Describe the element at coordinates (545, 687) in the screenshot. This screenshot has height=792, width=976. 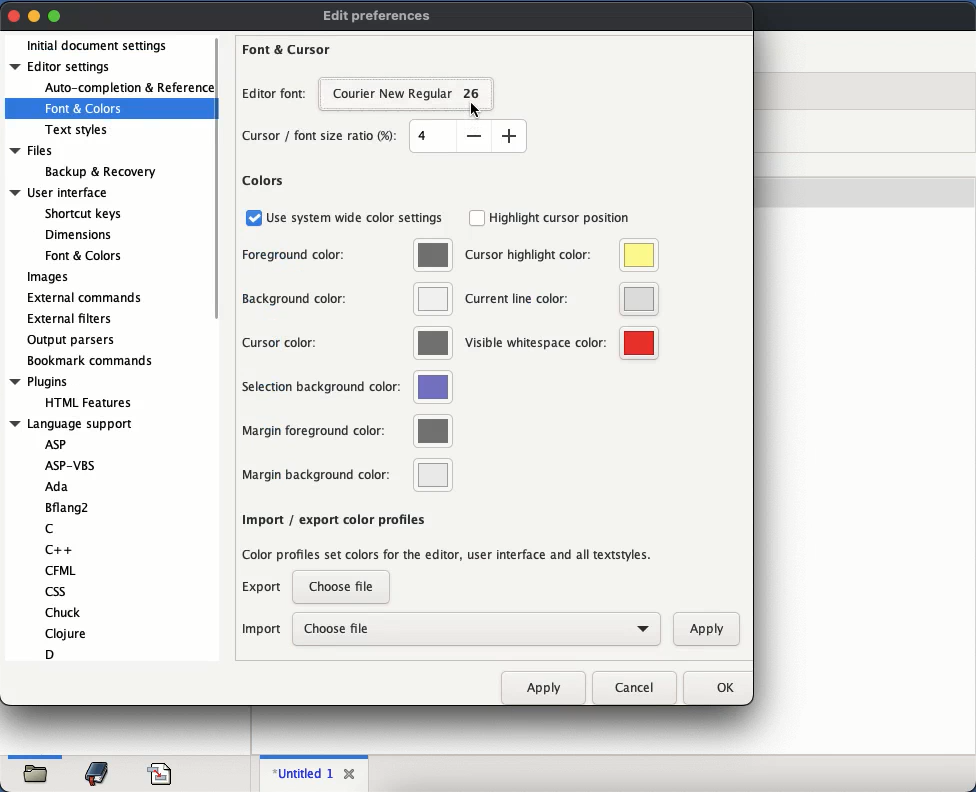
I see `apply` at that location.